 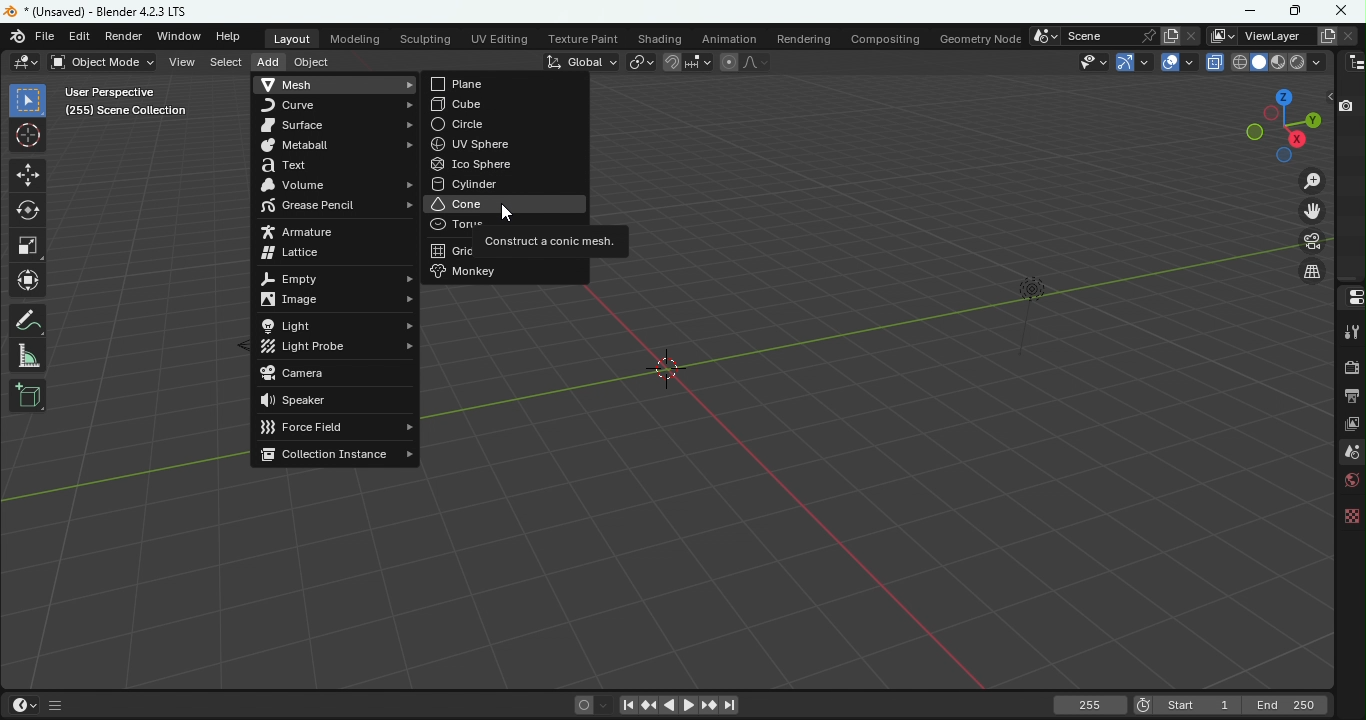 What do you see at coordinates (58, 706) in the screenshot?
I see `GUI show/hide` at bounding box center [58, 706].